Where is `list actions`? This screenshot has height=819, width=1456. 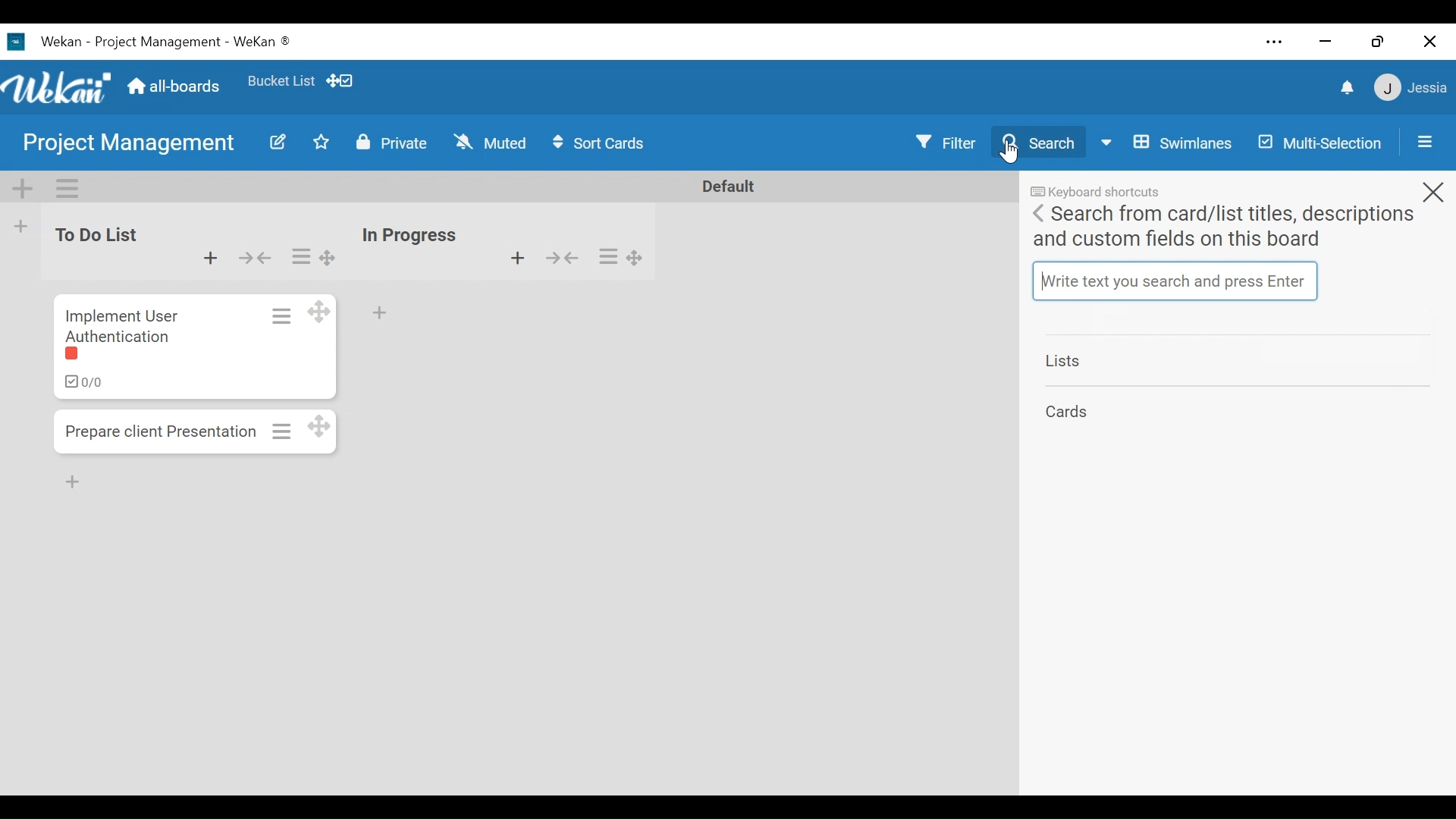
list actions is located at coordinates (301, 257).